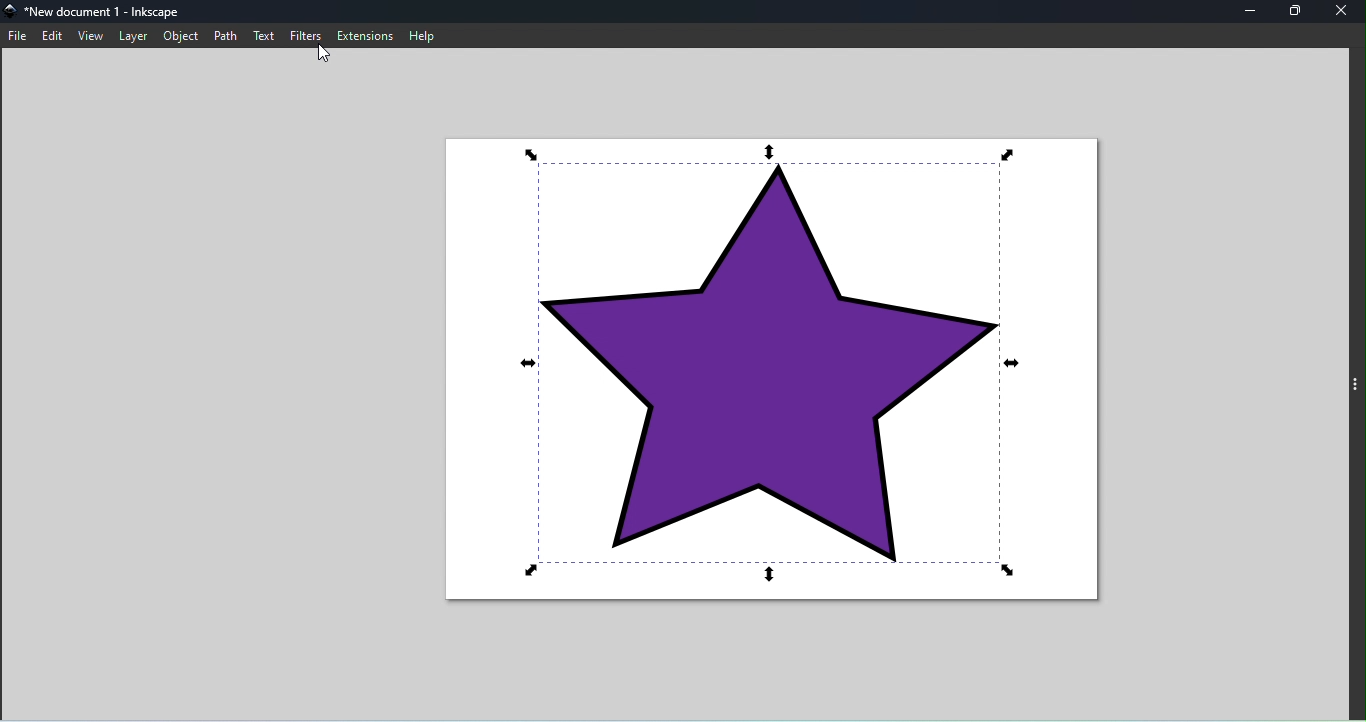  What do you see at coordinates (55, 36) in the screenshot?
I see `edit` at bounding box center [55, 36].